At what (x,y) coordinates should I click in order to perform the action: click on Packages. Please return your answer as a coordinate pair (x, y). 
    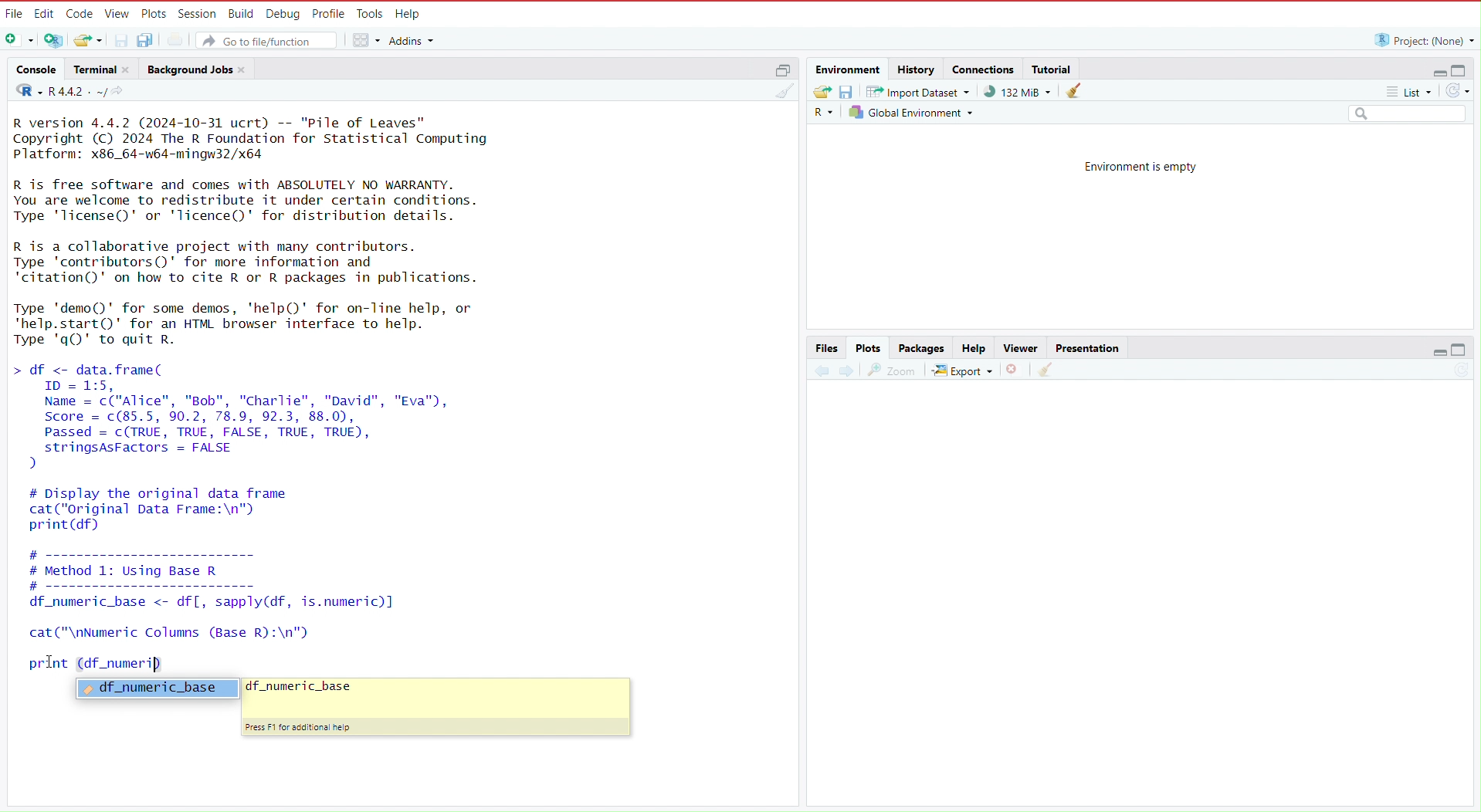
    Looking at the image, I should click on (920, 347).